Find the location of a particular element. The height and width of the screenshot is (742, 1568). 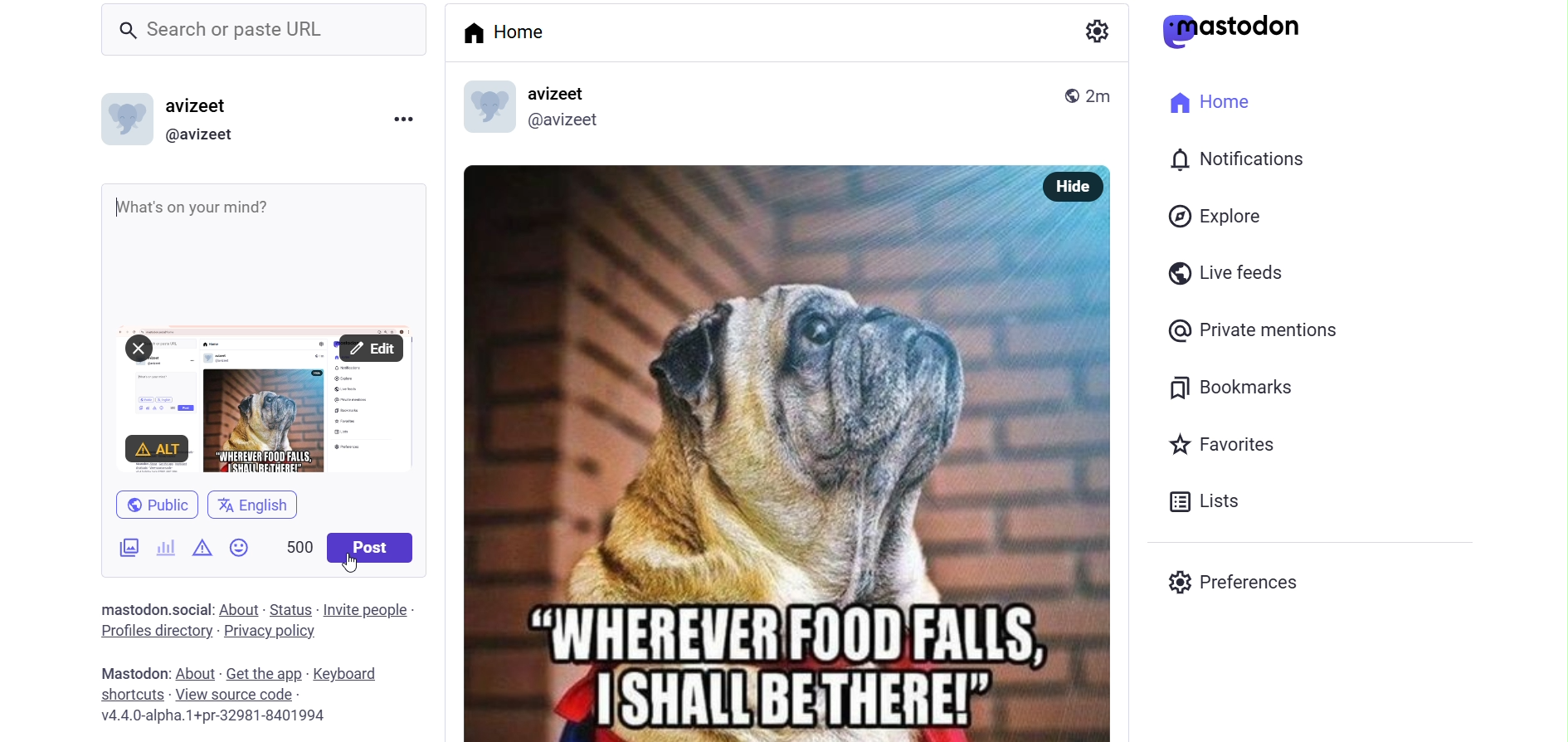

privacy policy is located at coordinates (270, 633).